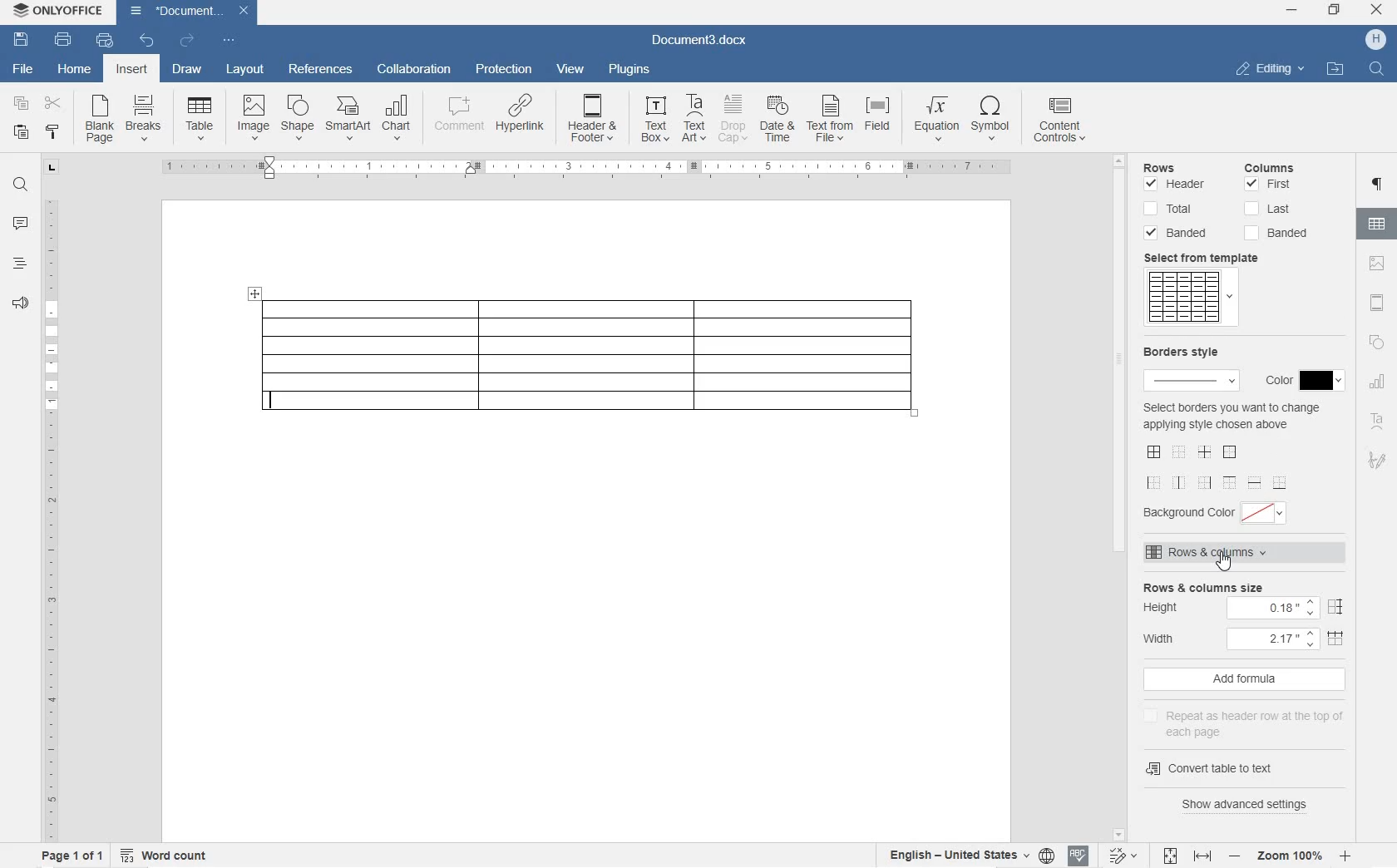 This screenshot has height=868, width=1397. Describe the element at coordinates (697, 43) in the screenshot. I see `Document3.docx` at that location.